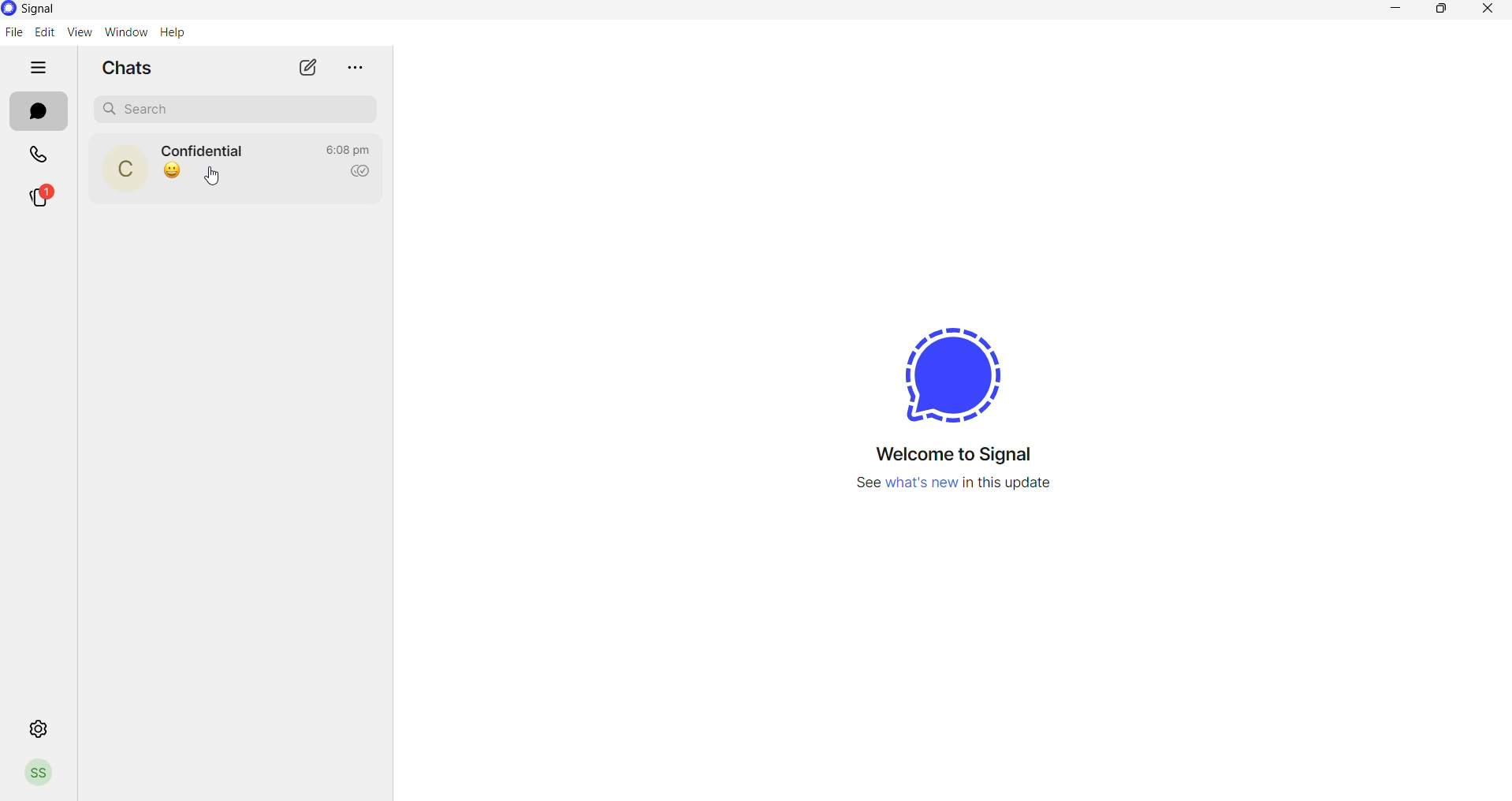 The width and height of the screenshot is (1512, 801). I want to click on view, so click(75, 32).